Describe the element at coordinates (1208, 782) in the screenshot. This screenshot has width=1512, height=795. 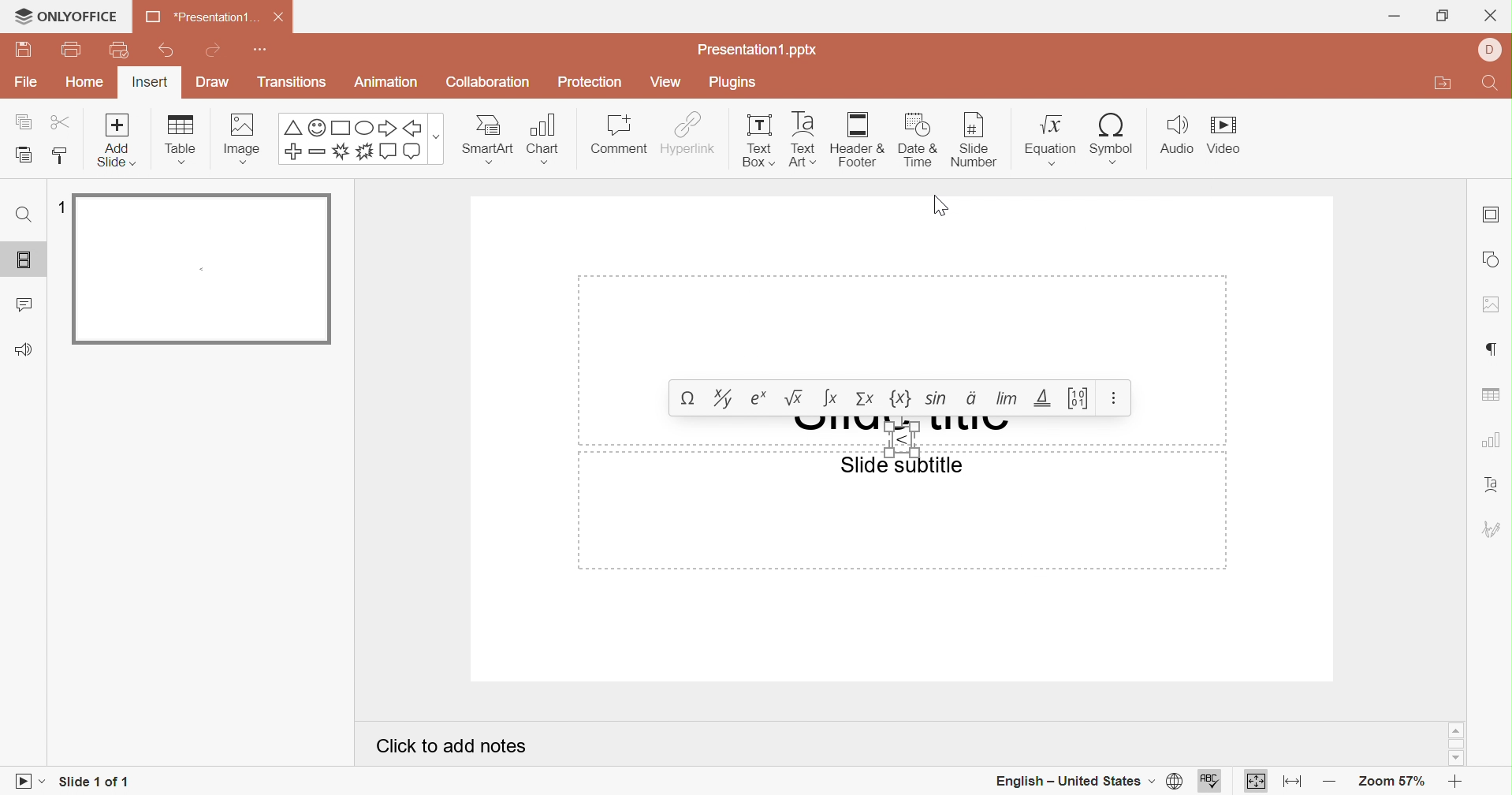
I see `Spell checking` at that location.